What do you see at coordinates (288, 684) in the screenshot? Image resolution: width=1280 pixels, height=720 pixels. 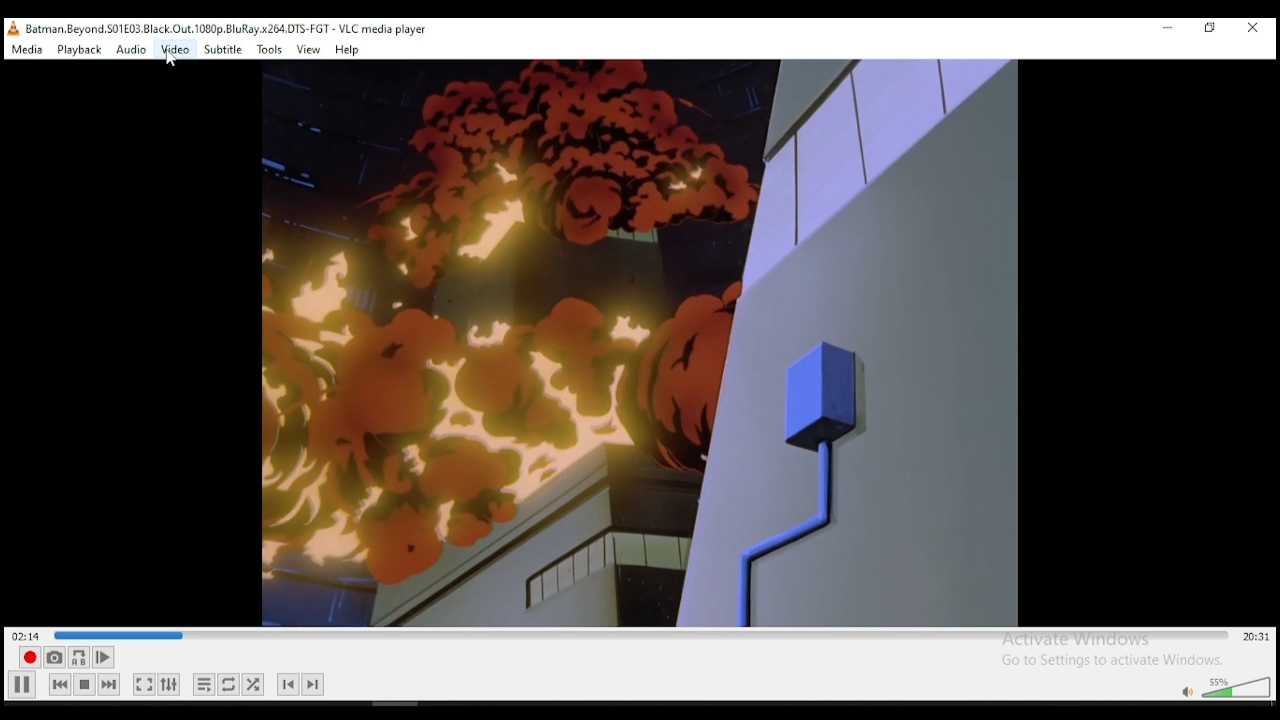 I see `previous chapter` at bounding box center [288, 684].